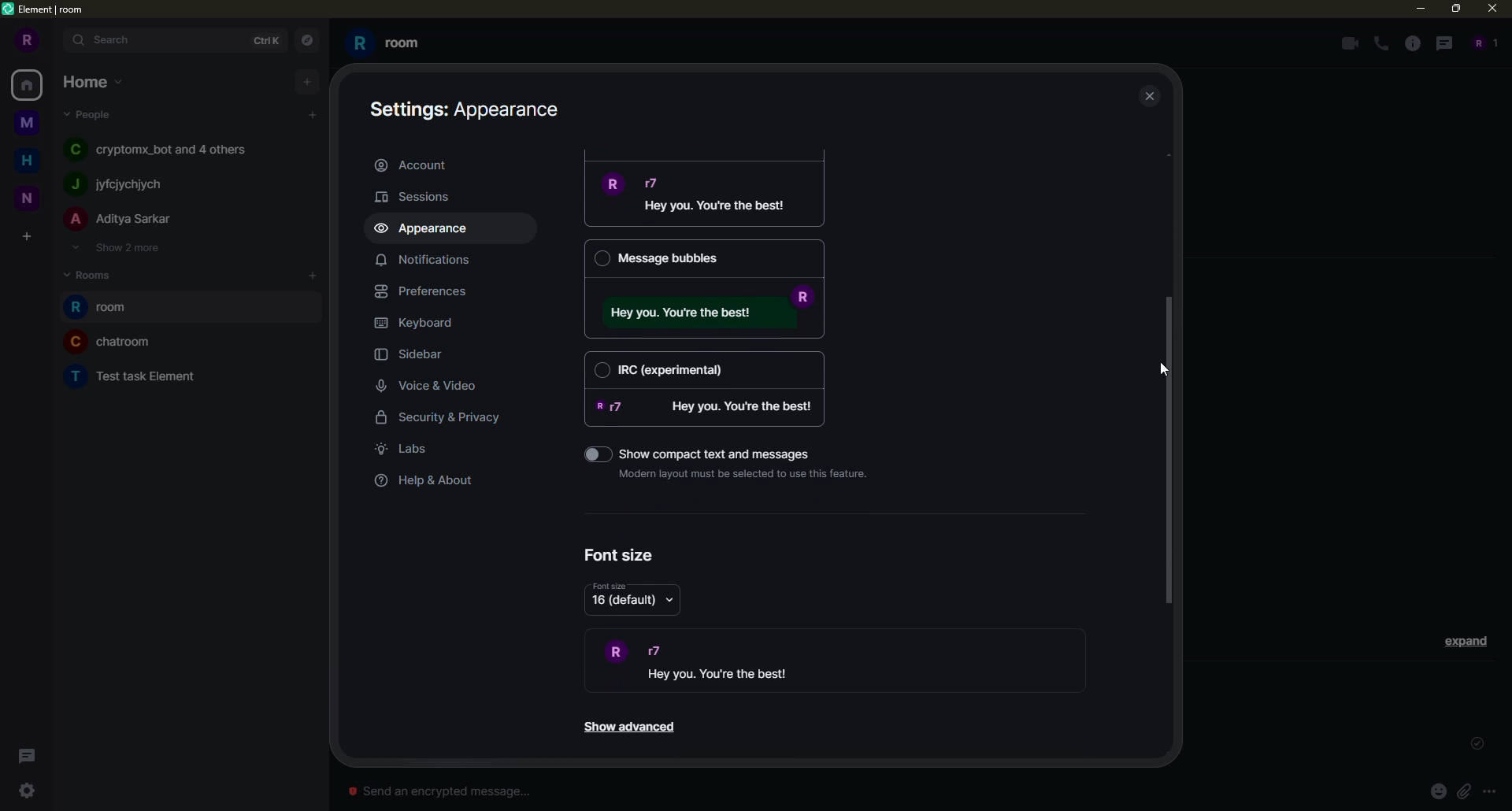  Describe the element at coordinates (1442, 43) in the screenshot. I see `threads` at that location.